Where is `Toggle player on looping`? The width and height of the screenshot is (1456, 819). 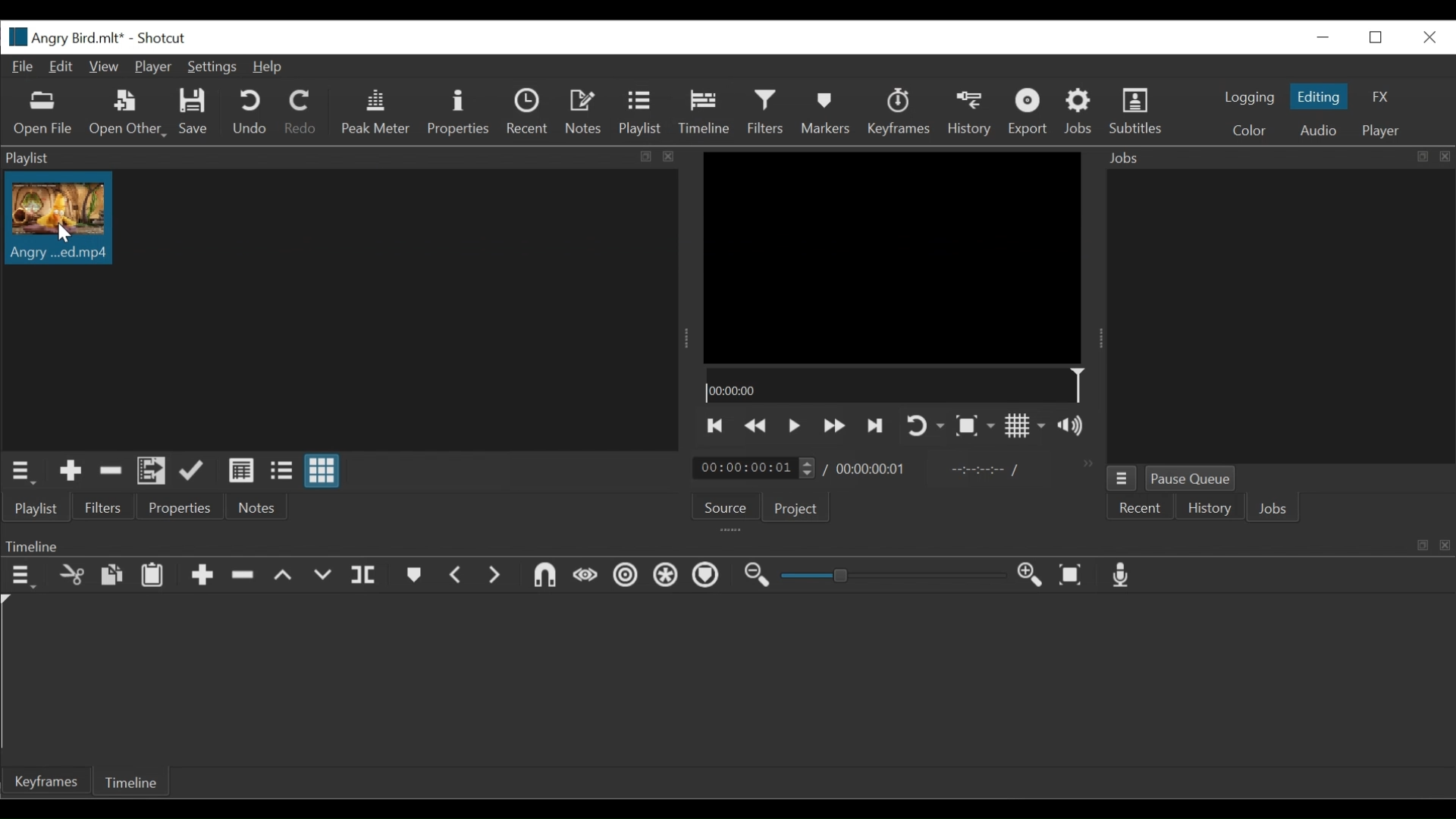
Toggle player on looping is located at coordinates (927, 426).